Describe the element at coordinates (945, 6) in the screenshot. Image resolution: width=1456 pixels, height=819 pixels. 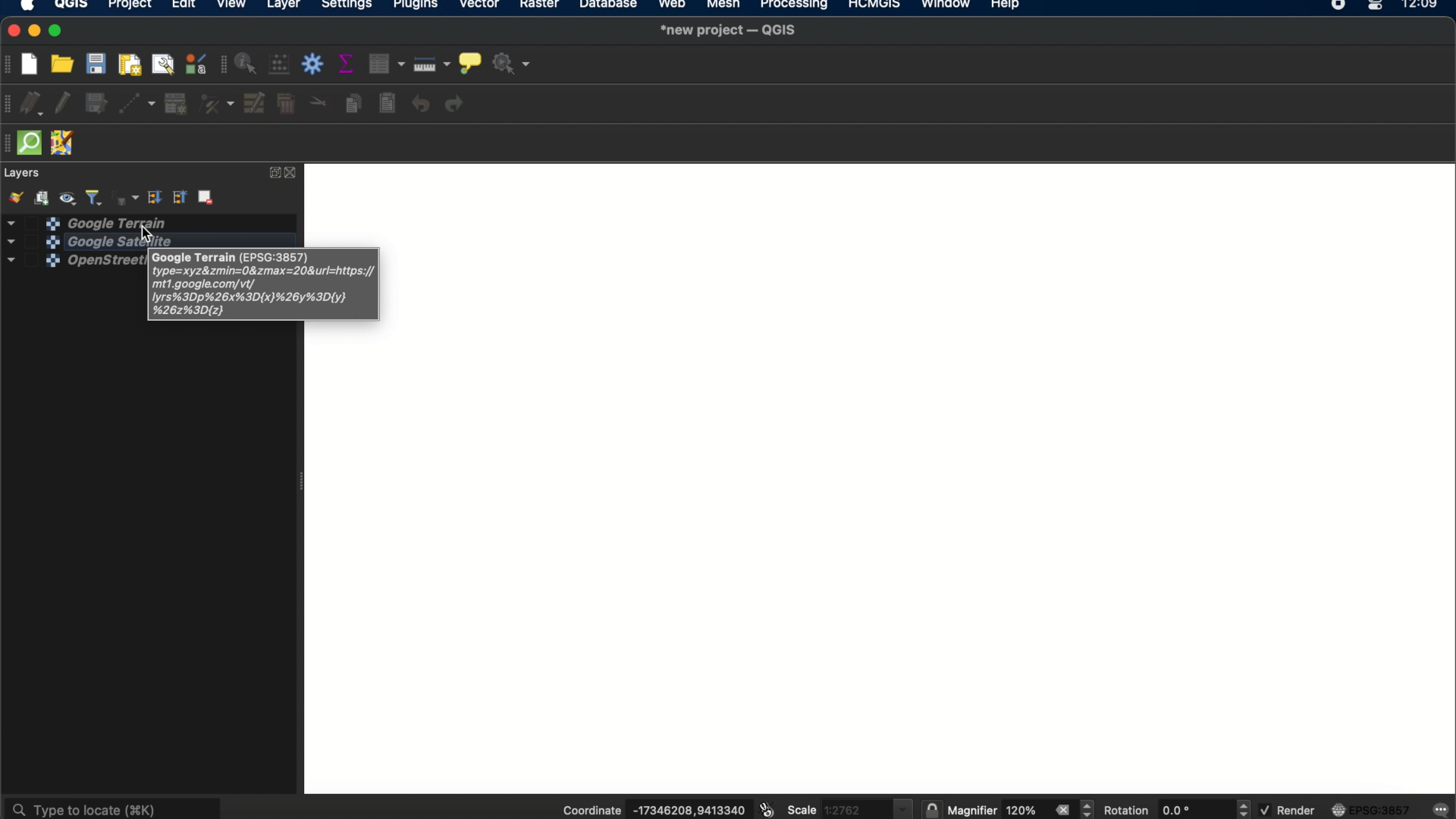
I see `window` at that location.